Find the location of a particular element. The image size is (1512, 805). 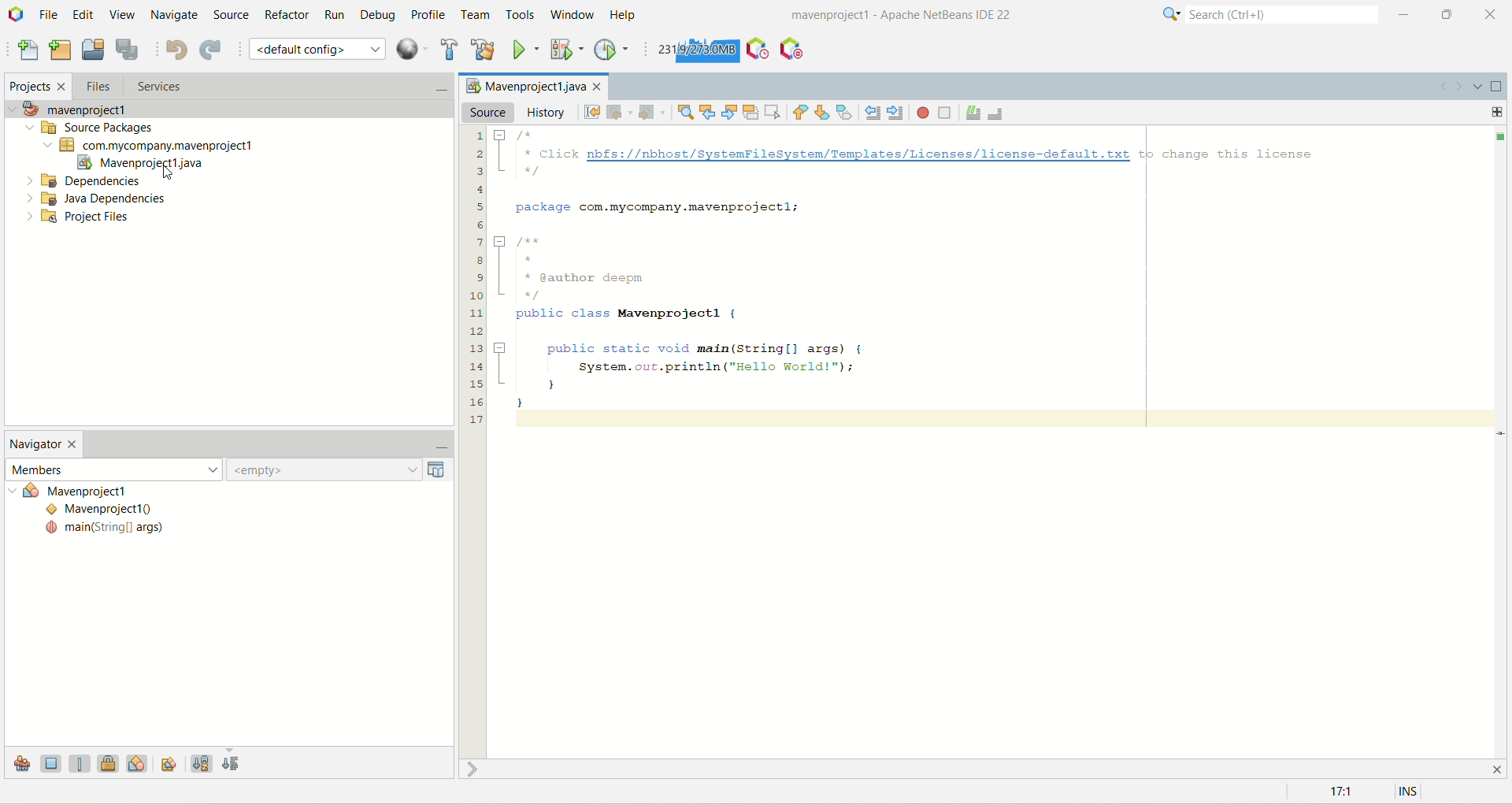

profile is located at coordinates (431, 14).